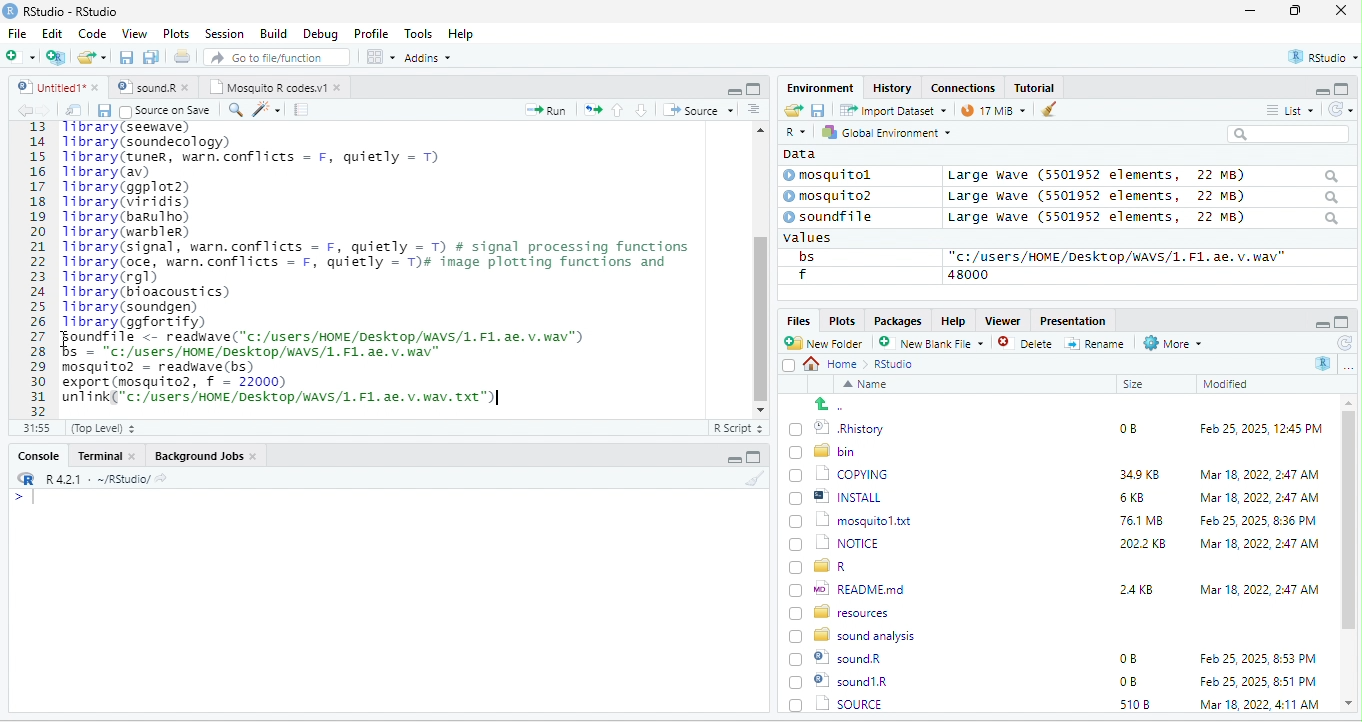 The image size is (1362, 722). I want to click on Terminal, so click(107, 455).